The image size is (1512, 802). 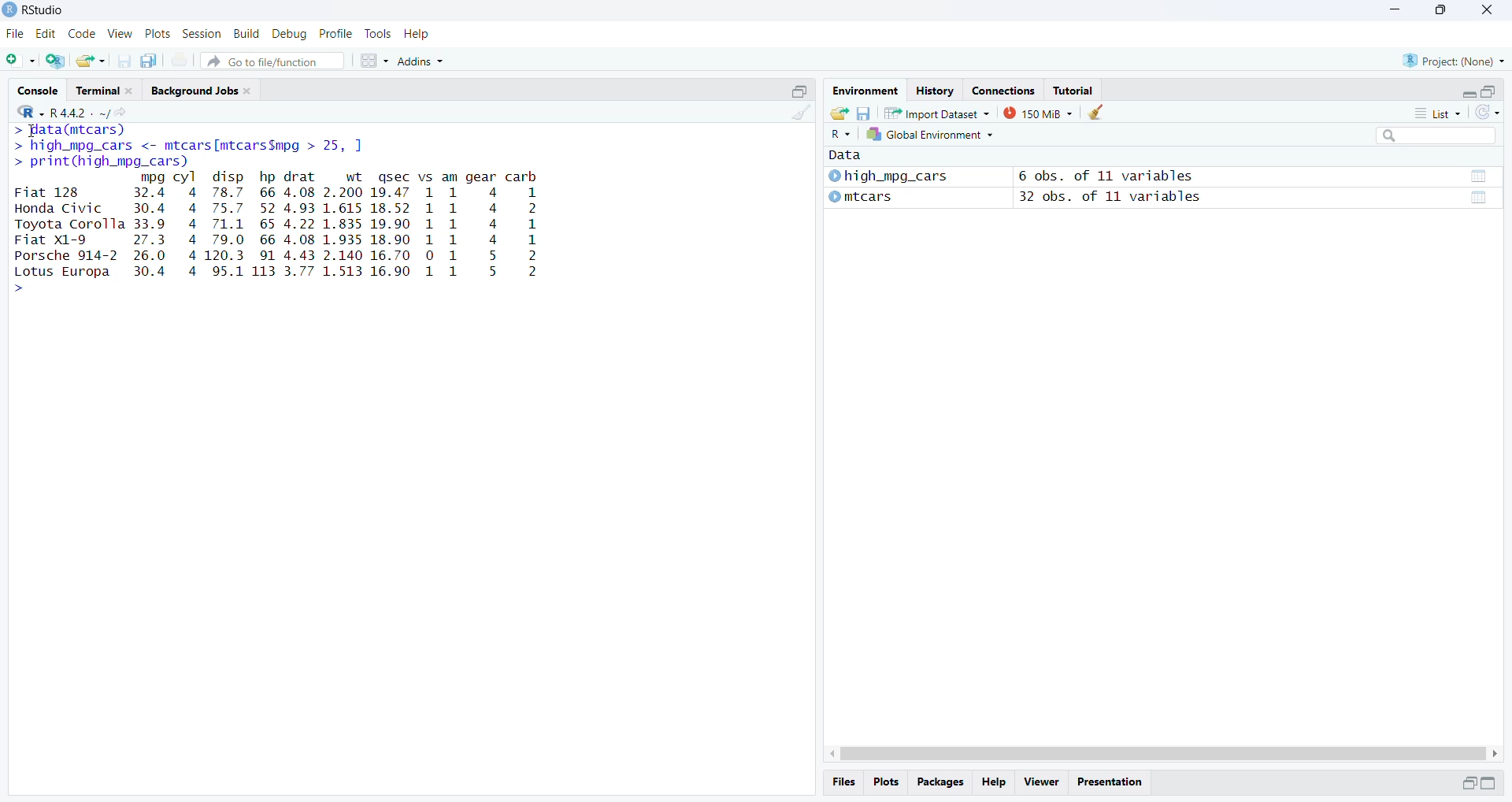 What do you see at coordinates (55, 112) in the screenshot?
I see `R 4.4.2.` at bounding box center [55, 112].